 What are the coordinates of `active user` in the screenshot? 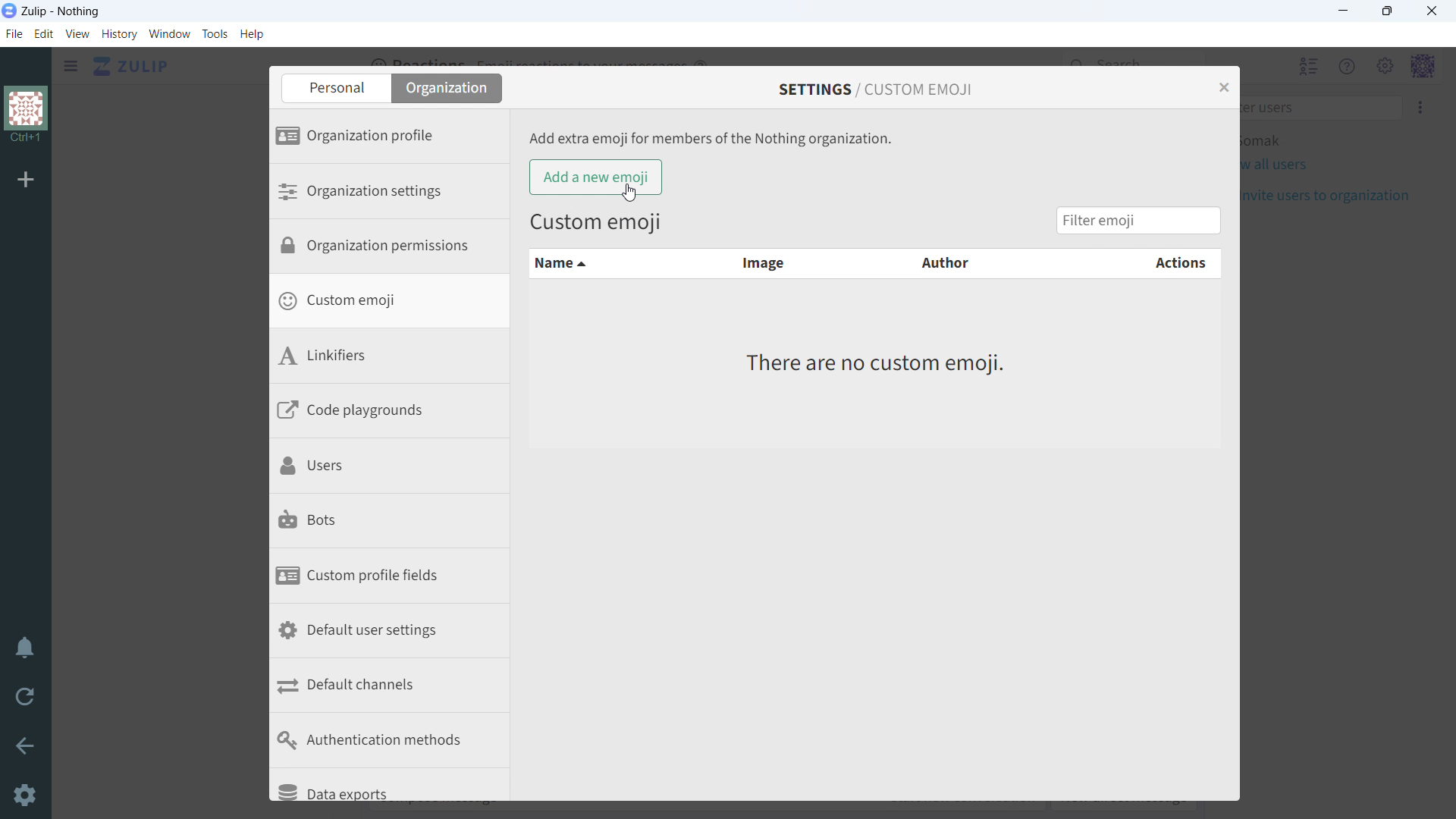 It's located at (1267, 141).